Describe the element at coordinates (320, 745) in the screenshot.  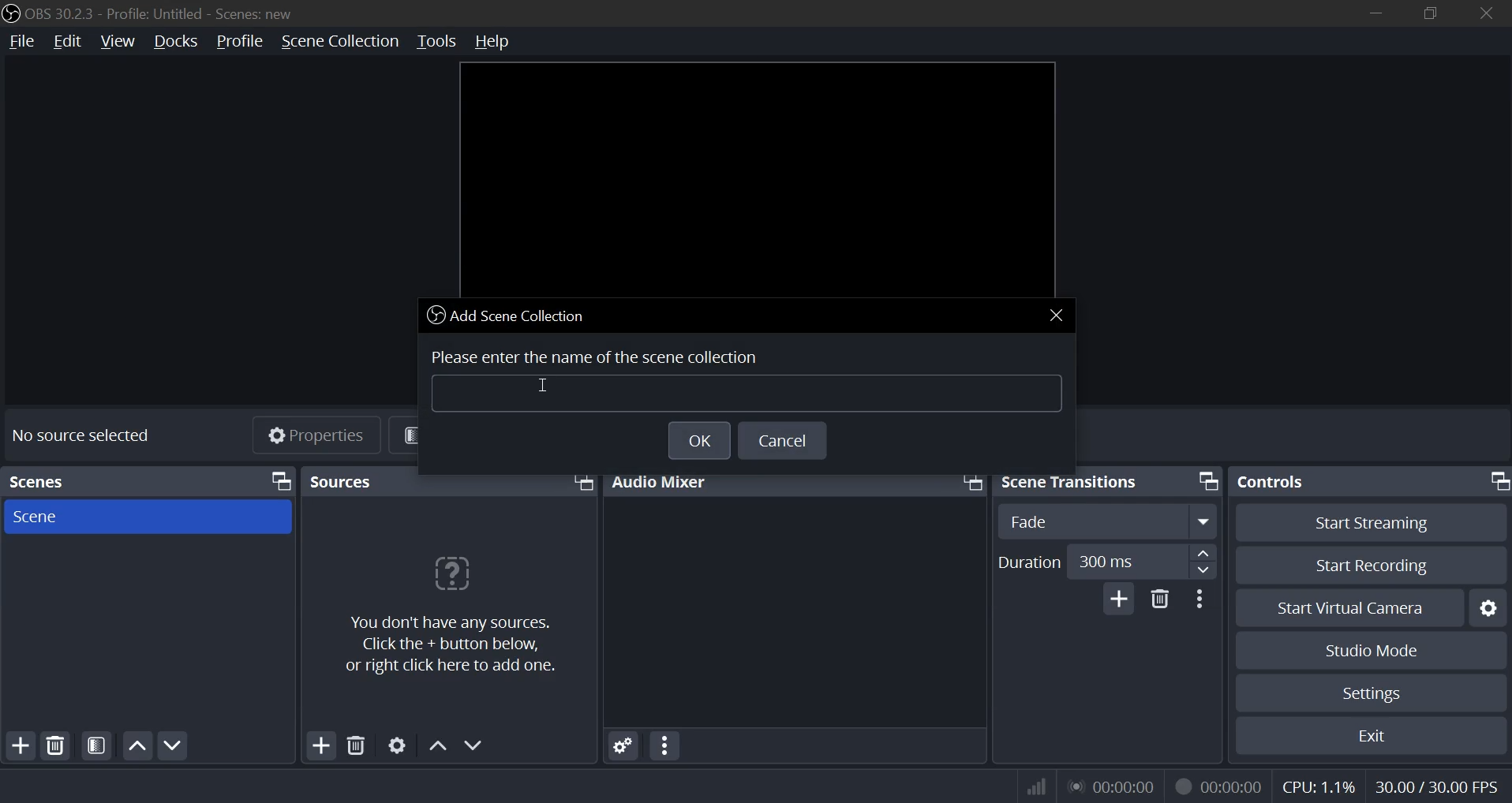
I see `add` at that location.